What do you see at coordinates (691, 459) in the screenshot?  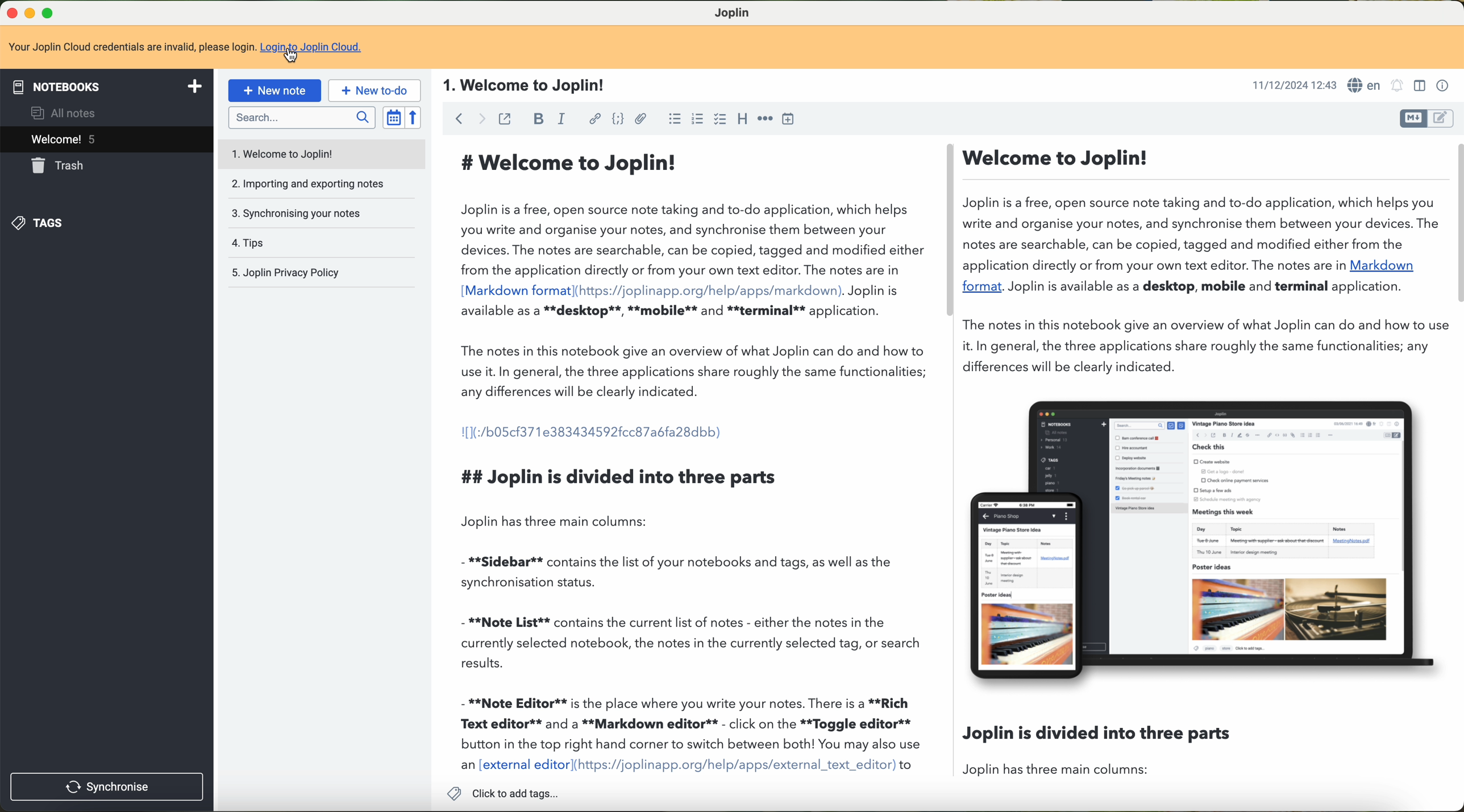 I see `# Welcome to Joplin!

Joplin is a free, open source note taking and to-do application, which helps
you write and organise your notes, and synchronise them between your
devices. The notes are searchable, can be copied, tagged and modified either
from the application directly or from your own text editor. The notes are in
[Markdown format](https://joplinapp.org/help/apps/markdown). Joplin is
available as a **desktop**, **mobile** and **terminal** application.

The notes in this notebook give an overview of what Joplin can do and how to
use it. In general, the three applications share roughly the same functionalities;
any differences will be clearly indicated.
1[1(:/b05cf371e383434592fcc87a6fa28dbb)

## Joplin is divided into three parts

Joplin has three main columns:

- **Sidebar** contains the list of your notebooks and tags, as well as the
synchronisation status.

- **Note List** contains the current list of notes - either the notes in the
currently selected notebook, the notes in the currently selected tag, or search
results.

- **Note Editor** is the place where you write your notes. There is a **Rich
Text editor** and a **Markdown editor** - click on the **Toggle editor**
button in the top right hand corner to switch between both! You may also use
an [external editor](https://joplinapp.org/help/apps/external_text_editor) to` at bounding box center [691, 459].